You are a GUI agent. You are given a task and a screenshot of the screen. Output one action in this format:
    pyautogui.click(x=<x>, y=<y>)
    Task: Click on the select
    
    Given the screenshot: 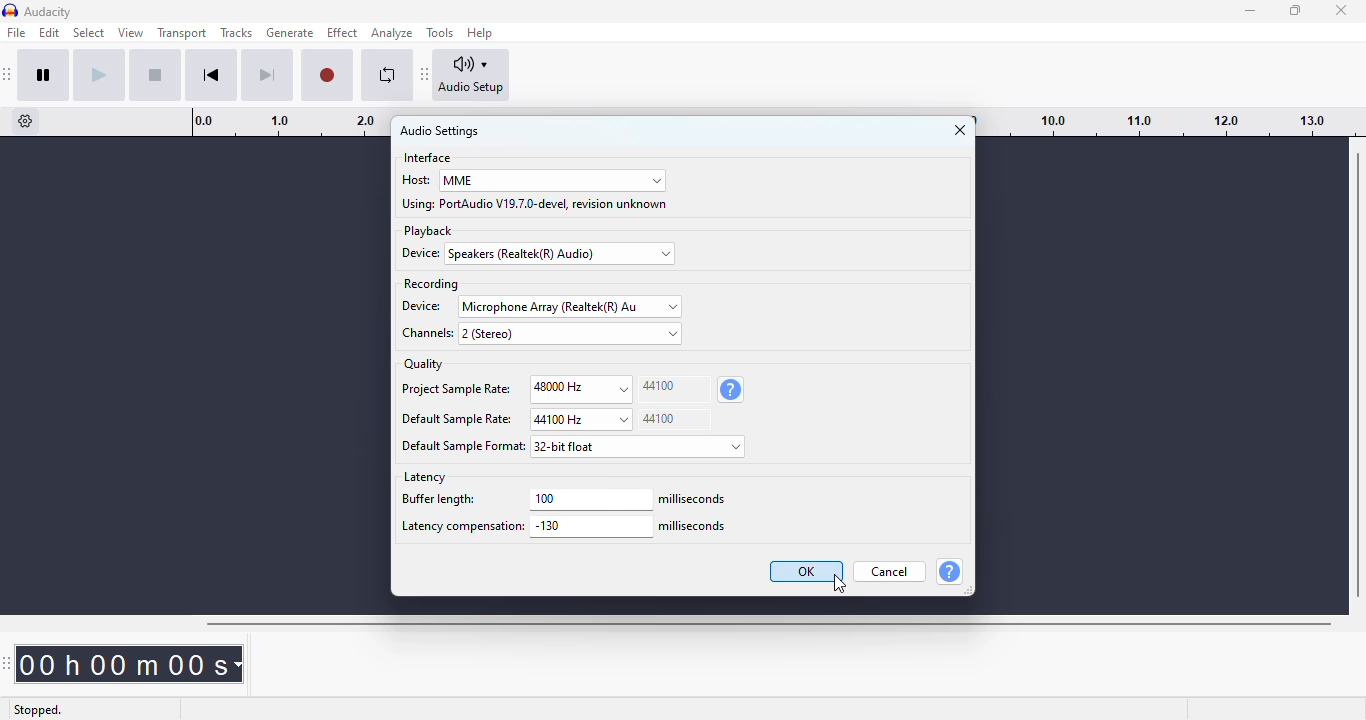 What is the action you would take?
    pyautogui.click(x=90, y=33)
    